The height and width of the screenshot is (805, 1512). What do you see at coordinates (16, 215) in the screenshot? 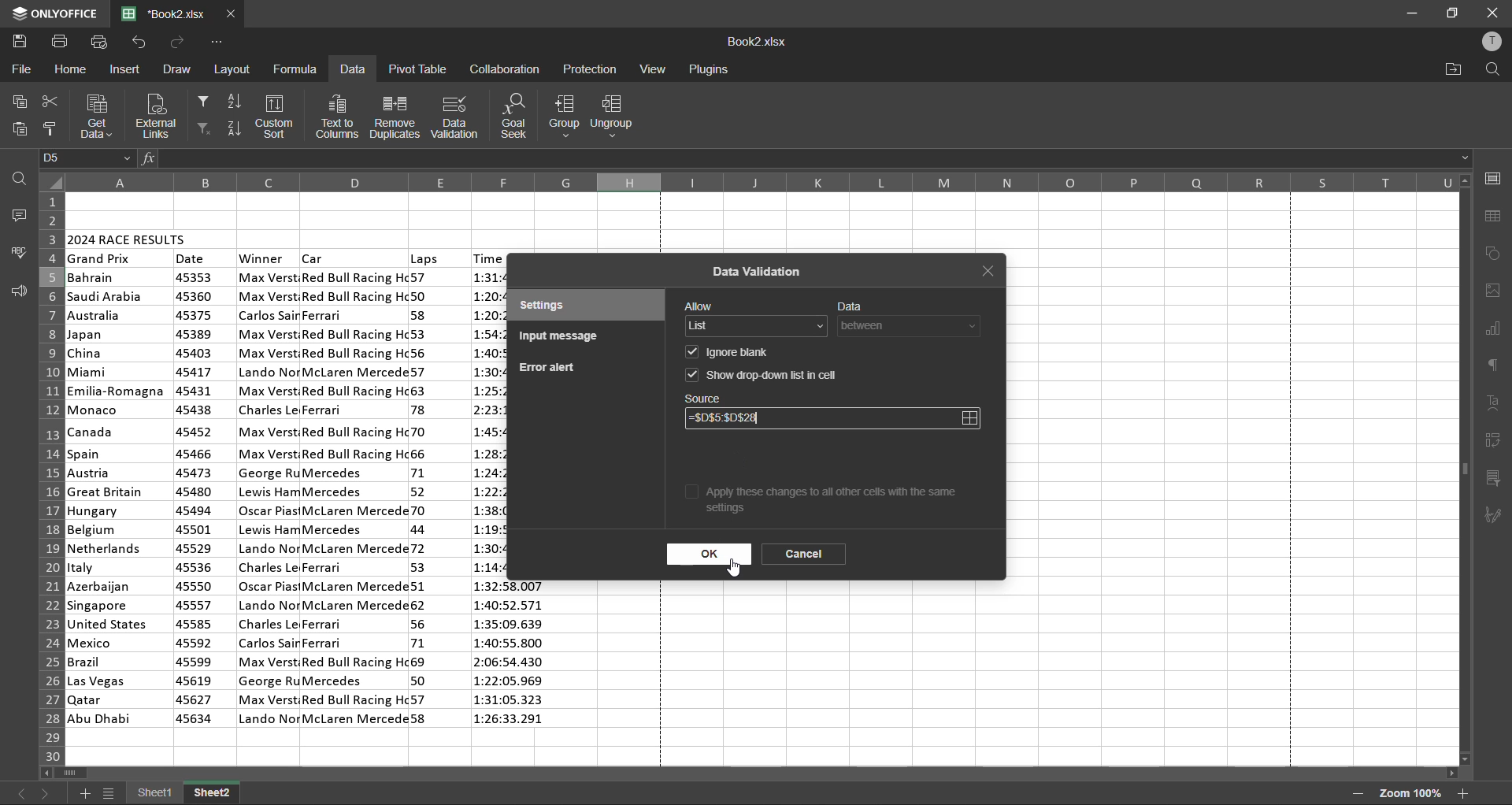
I see `comments` at bounding box center [16, 215].